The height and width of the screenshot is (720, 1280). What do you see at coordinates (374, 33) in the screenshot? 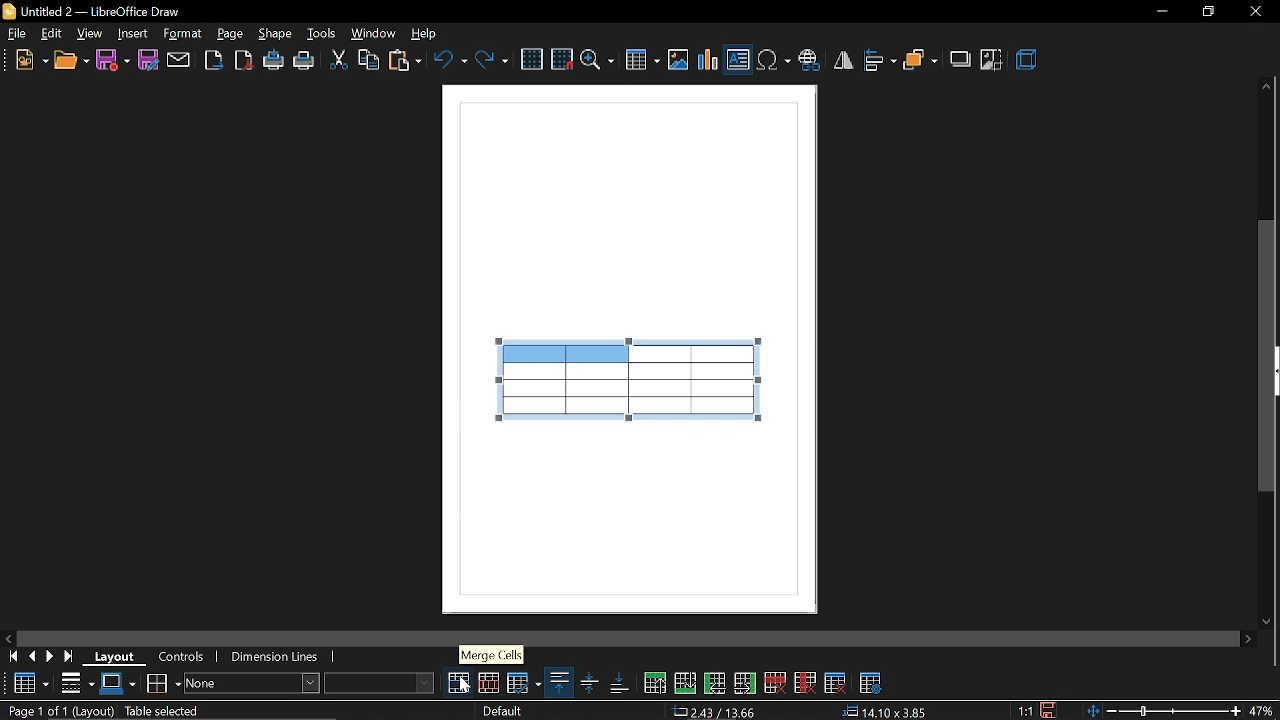
I see `window` at bounding box center [374, 33].